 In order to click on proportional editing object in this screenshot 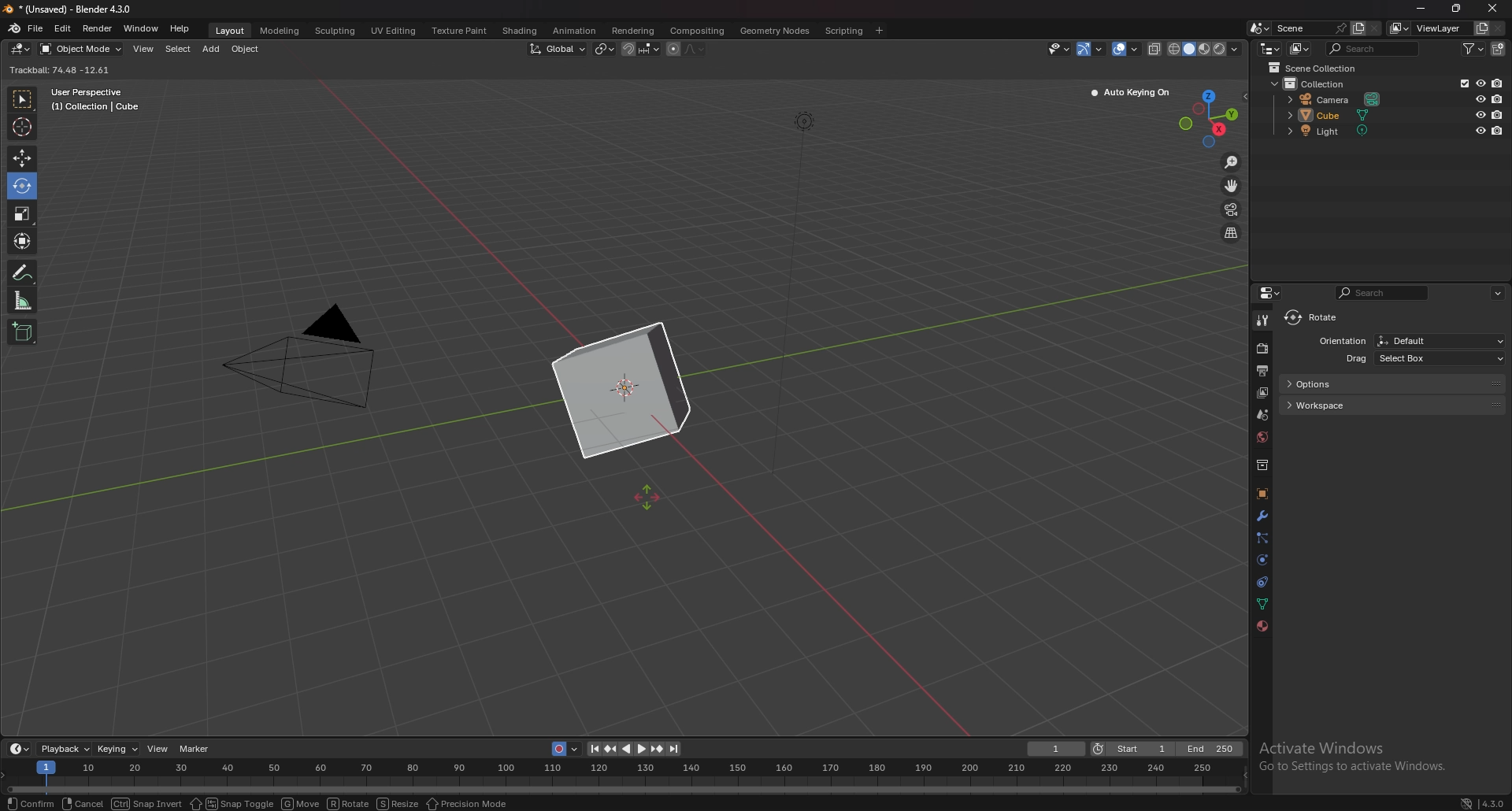, I will do `click(673, 50)`.